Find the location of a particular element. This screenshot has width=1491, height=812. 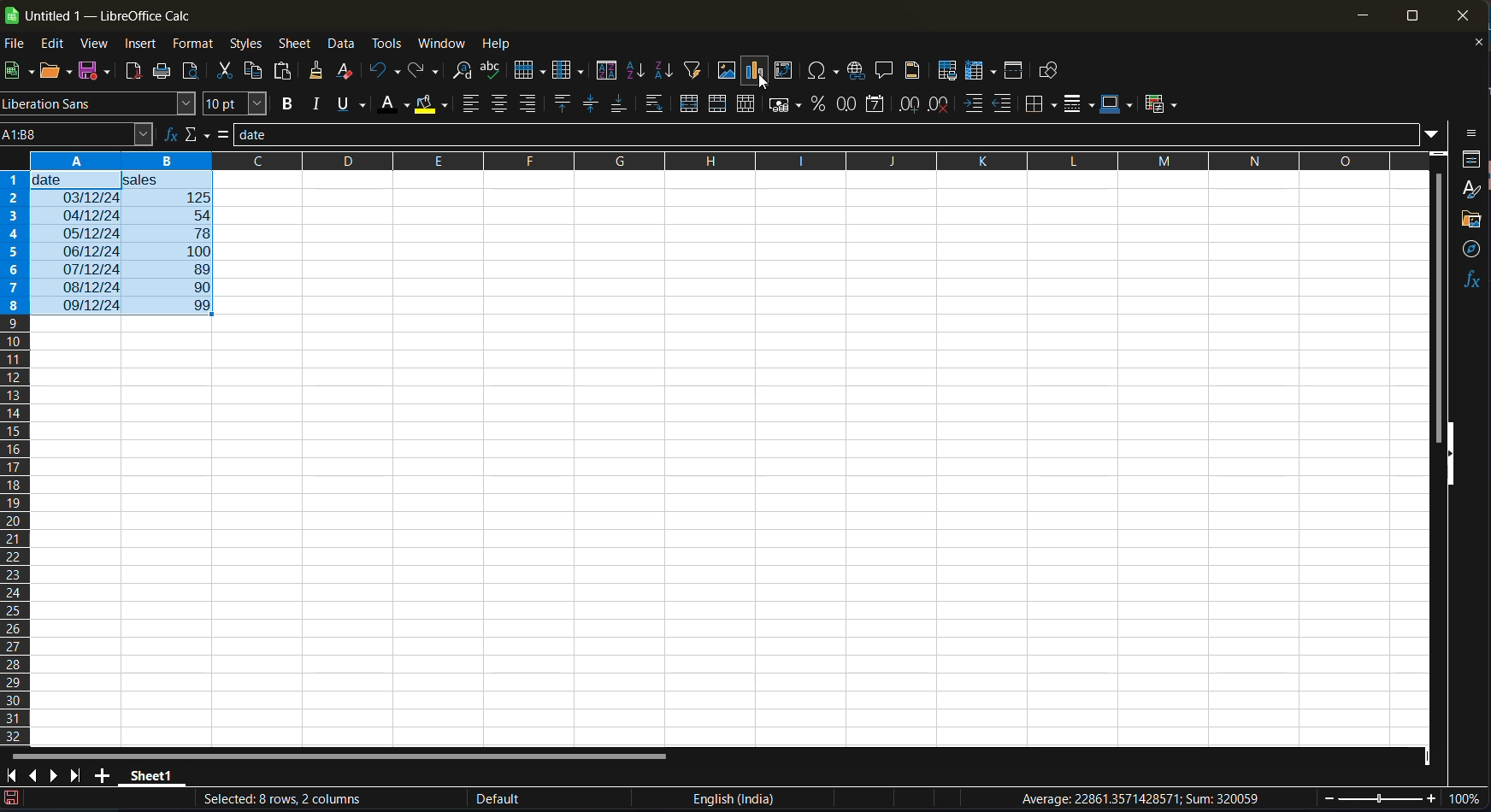

clear direct formatting is located at coordinates (349, 71).